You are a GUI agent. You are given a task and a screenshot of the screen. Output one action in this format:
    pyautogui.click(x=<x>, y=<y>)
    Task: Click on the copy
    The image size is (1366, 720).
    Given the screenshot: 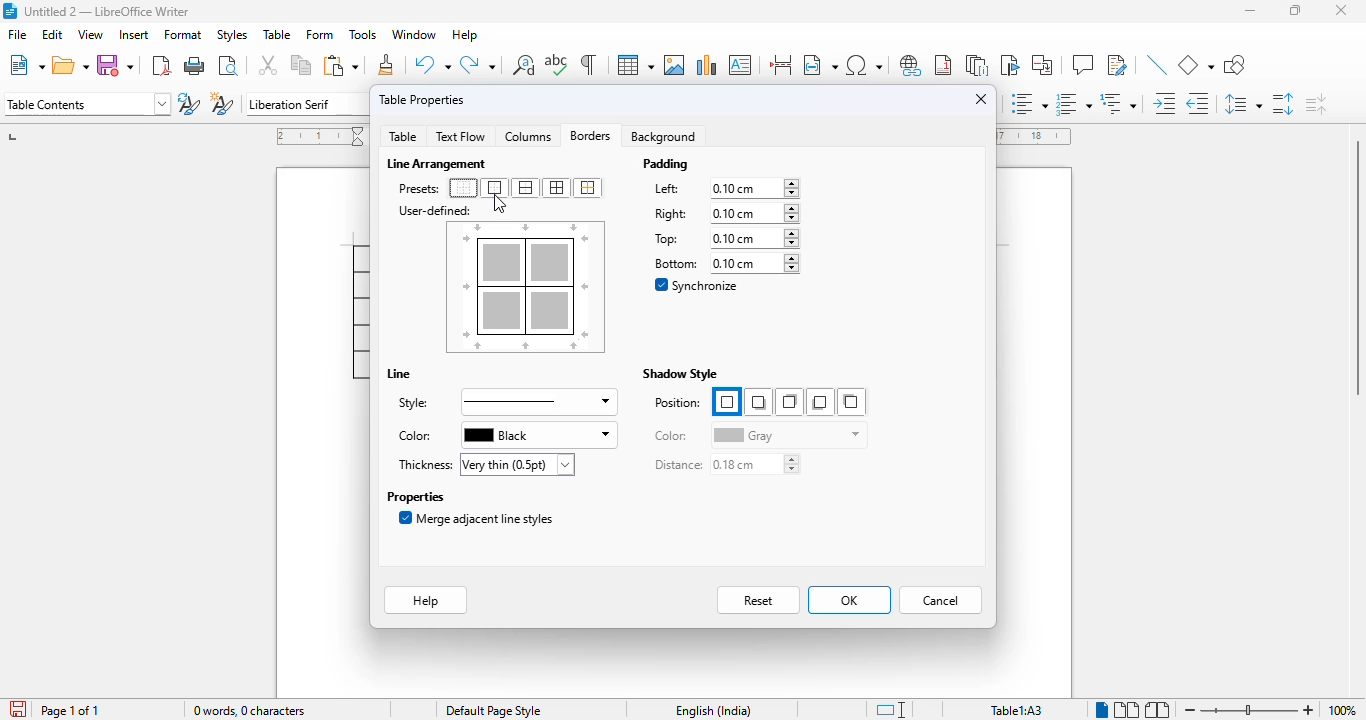 What is the action you would take?
    pyautogui.click(x=302, y=66)
    